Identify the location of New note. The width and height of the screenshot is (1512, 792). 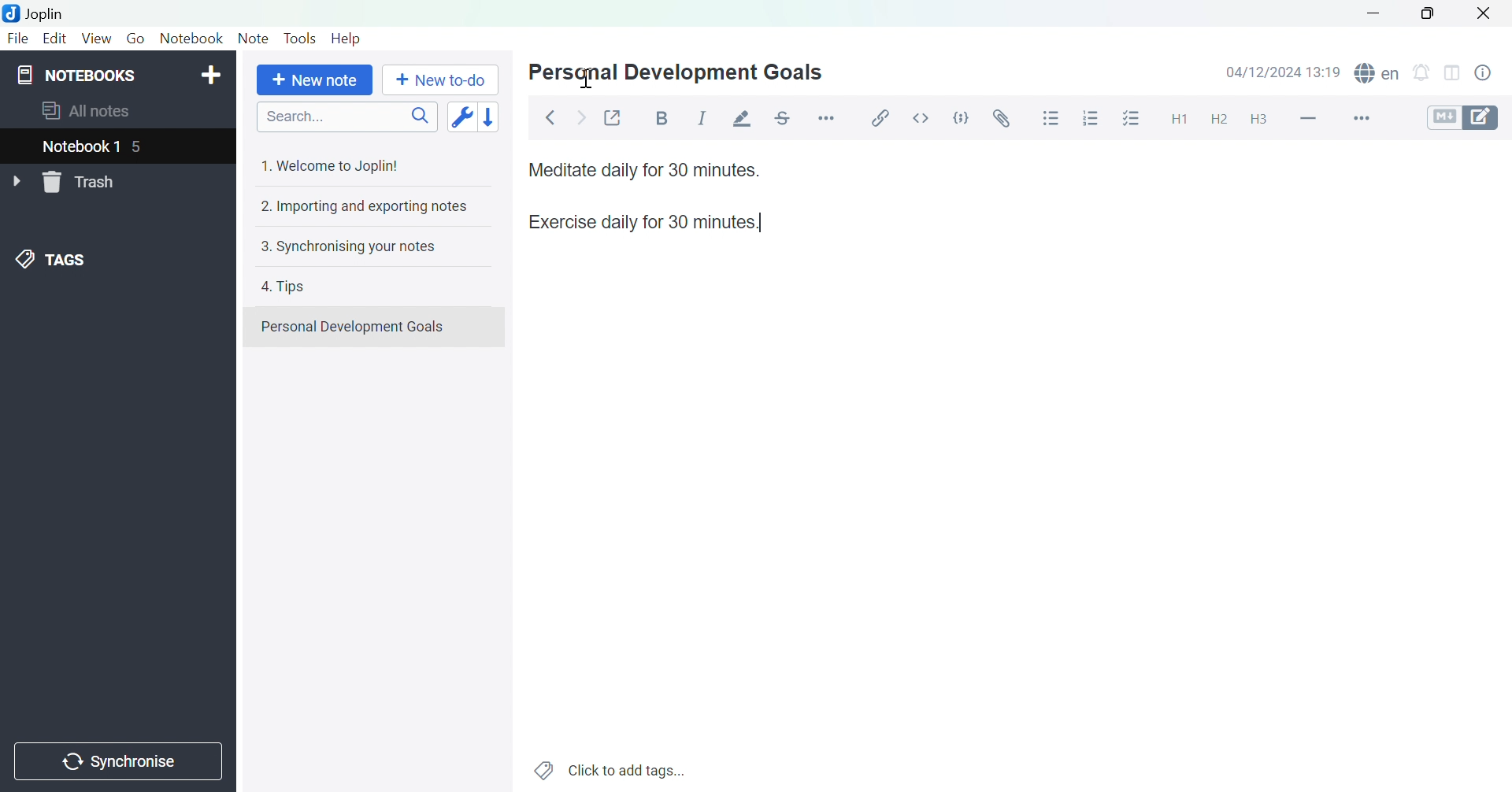
(314, 81).